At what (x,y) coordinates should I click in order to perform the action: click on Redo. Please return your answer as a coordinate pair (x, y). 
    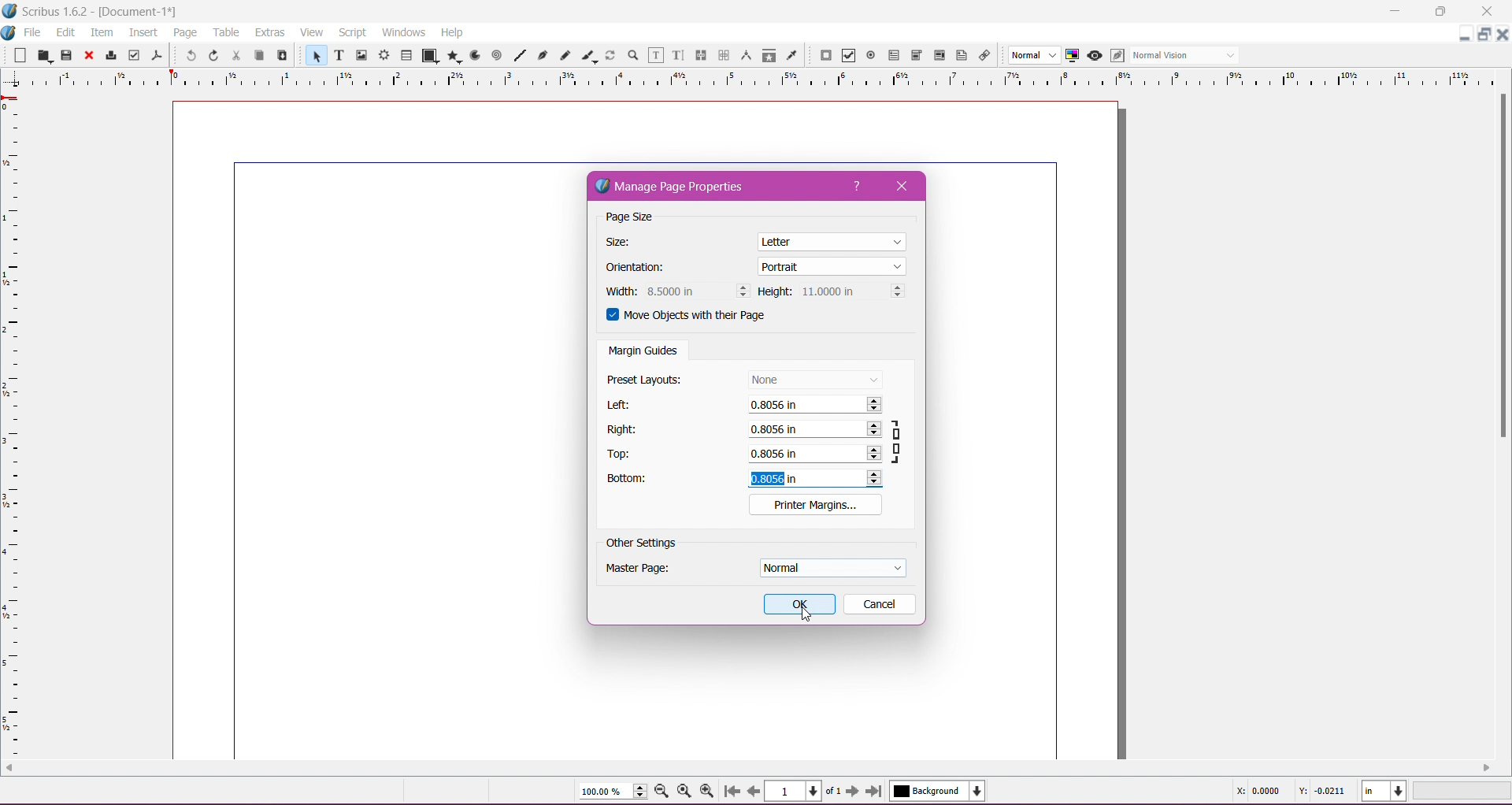
    Looking at the image, I should click on (213, 56).